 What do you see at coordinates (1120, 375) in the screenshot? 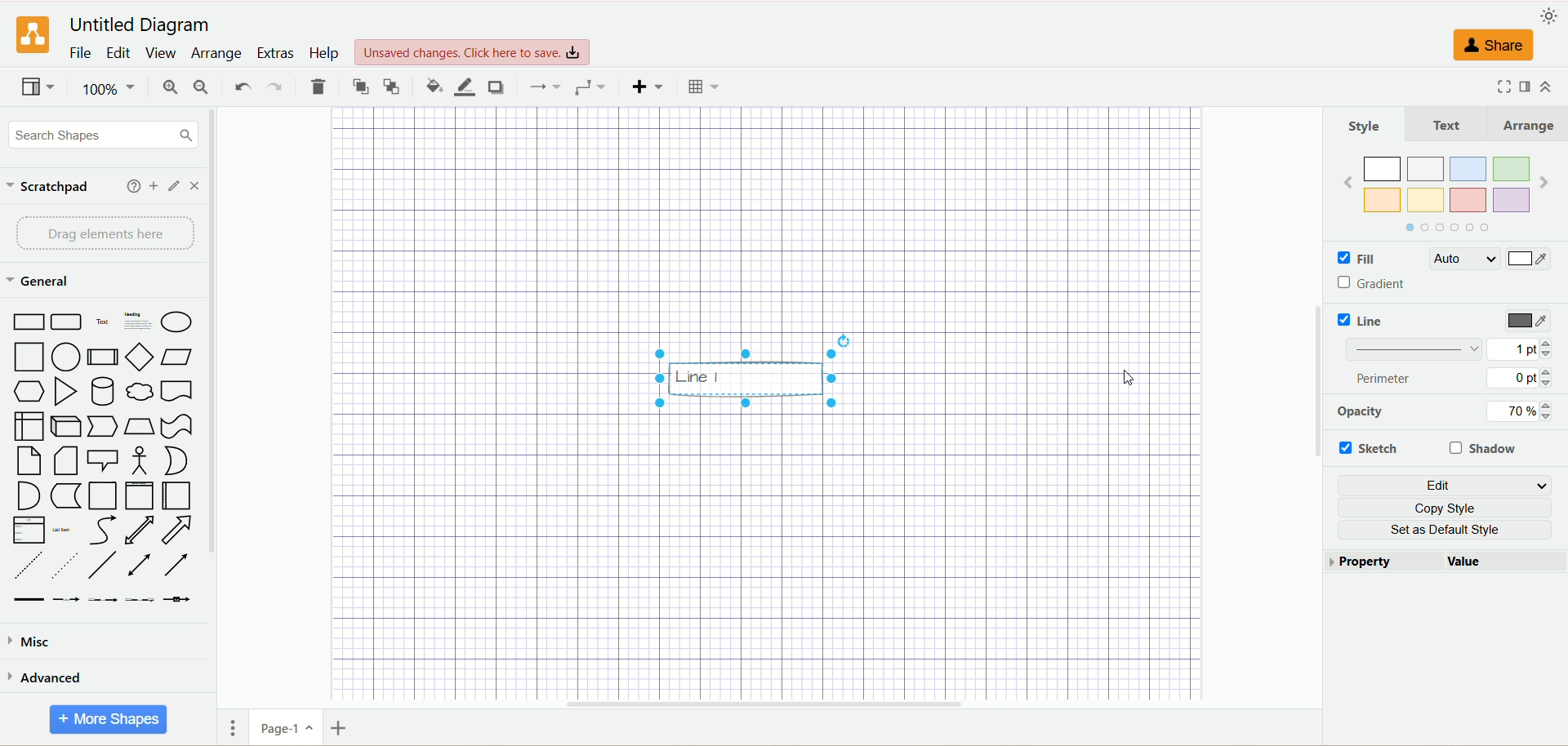
I see `Cursor` at bounding box center [1120, 375].